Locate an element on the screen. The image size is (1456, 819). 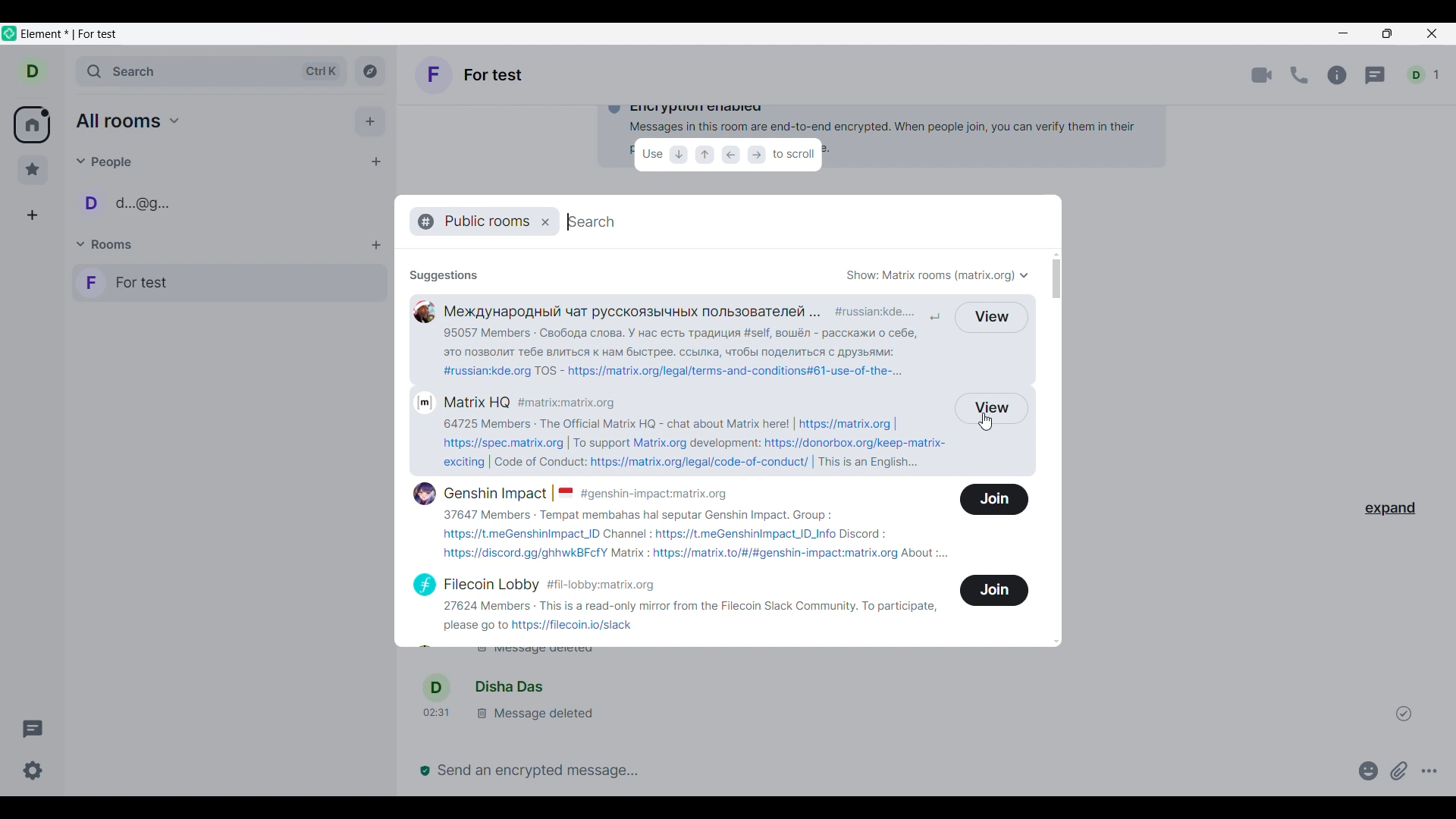
Favorites is located at coordinates (33, 170).